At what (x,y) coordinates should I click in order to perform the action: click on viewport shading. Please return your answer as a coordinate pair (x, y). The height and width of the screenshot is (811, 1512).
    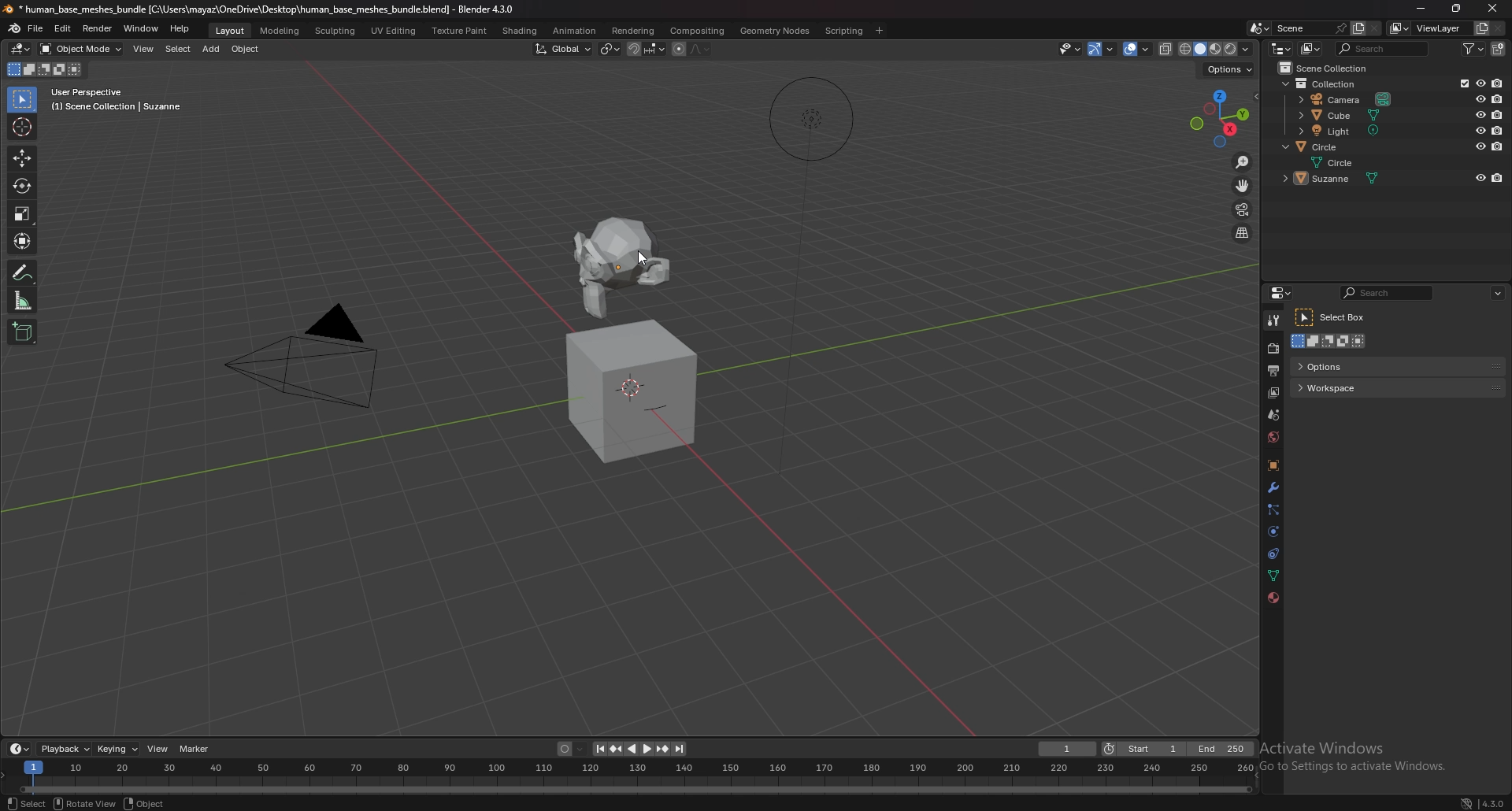
    Looking at the image, I should click on (1217, 48).